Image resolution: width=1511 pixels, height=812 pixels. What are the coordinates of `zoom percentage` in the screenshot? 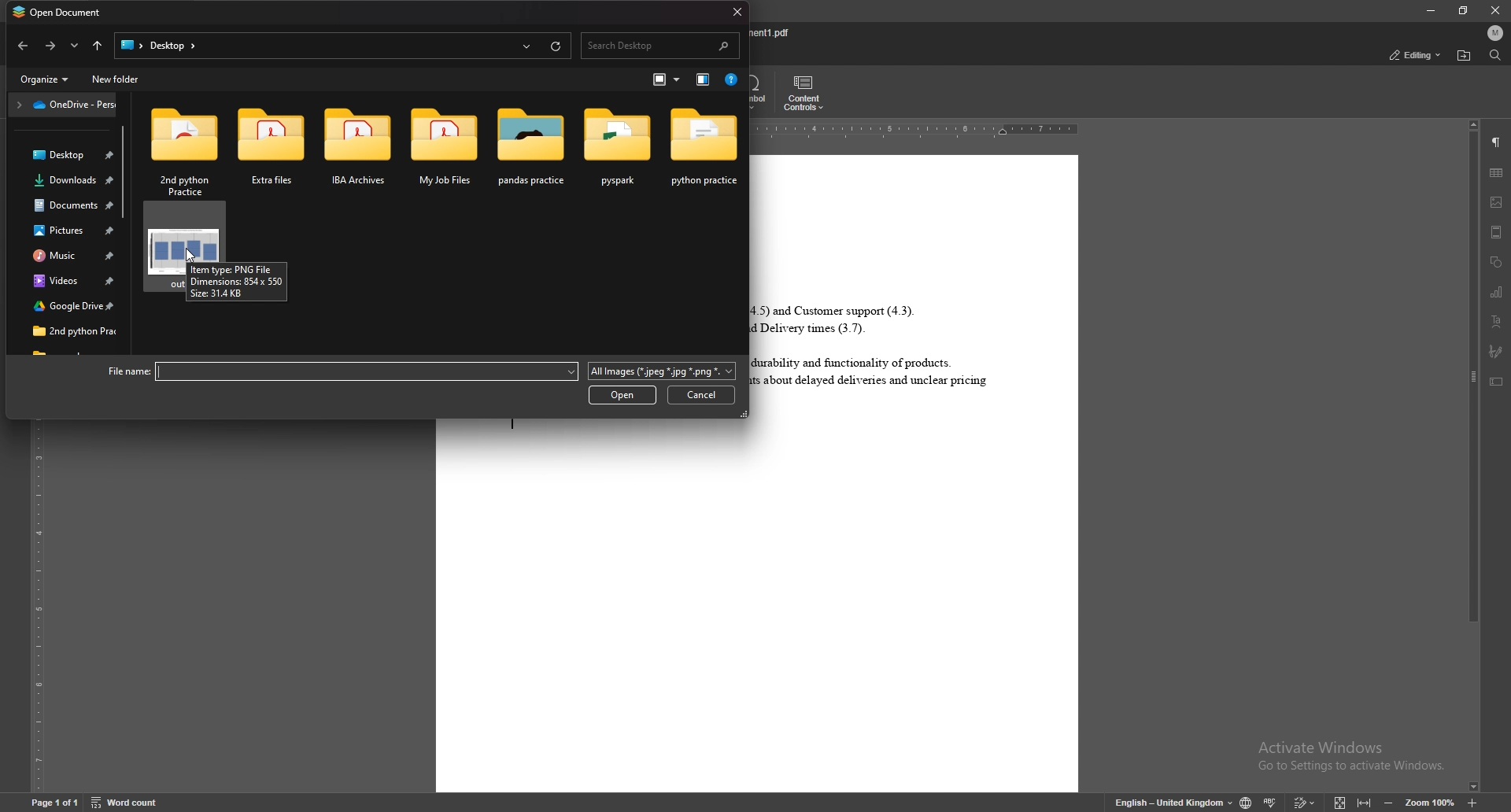 It's located at (1428, 802).